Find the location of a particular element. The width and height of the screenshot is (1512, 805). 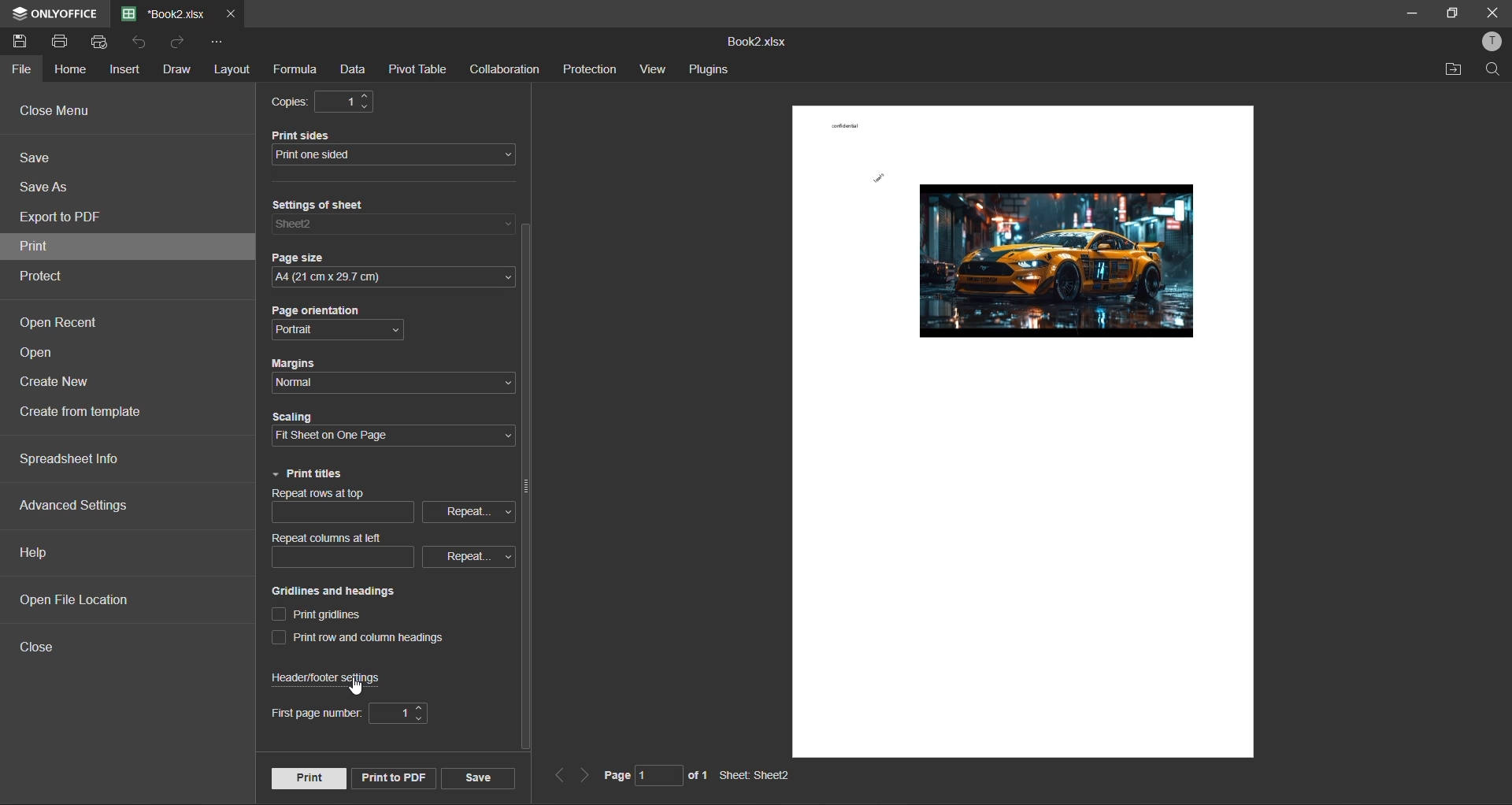

protection is located at coordinates (590, 69).